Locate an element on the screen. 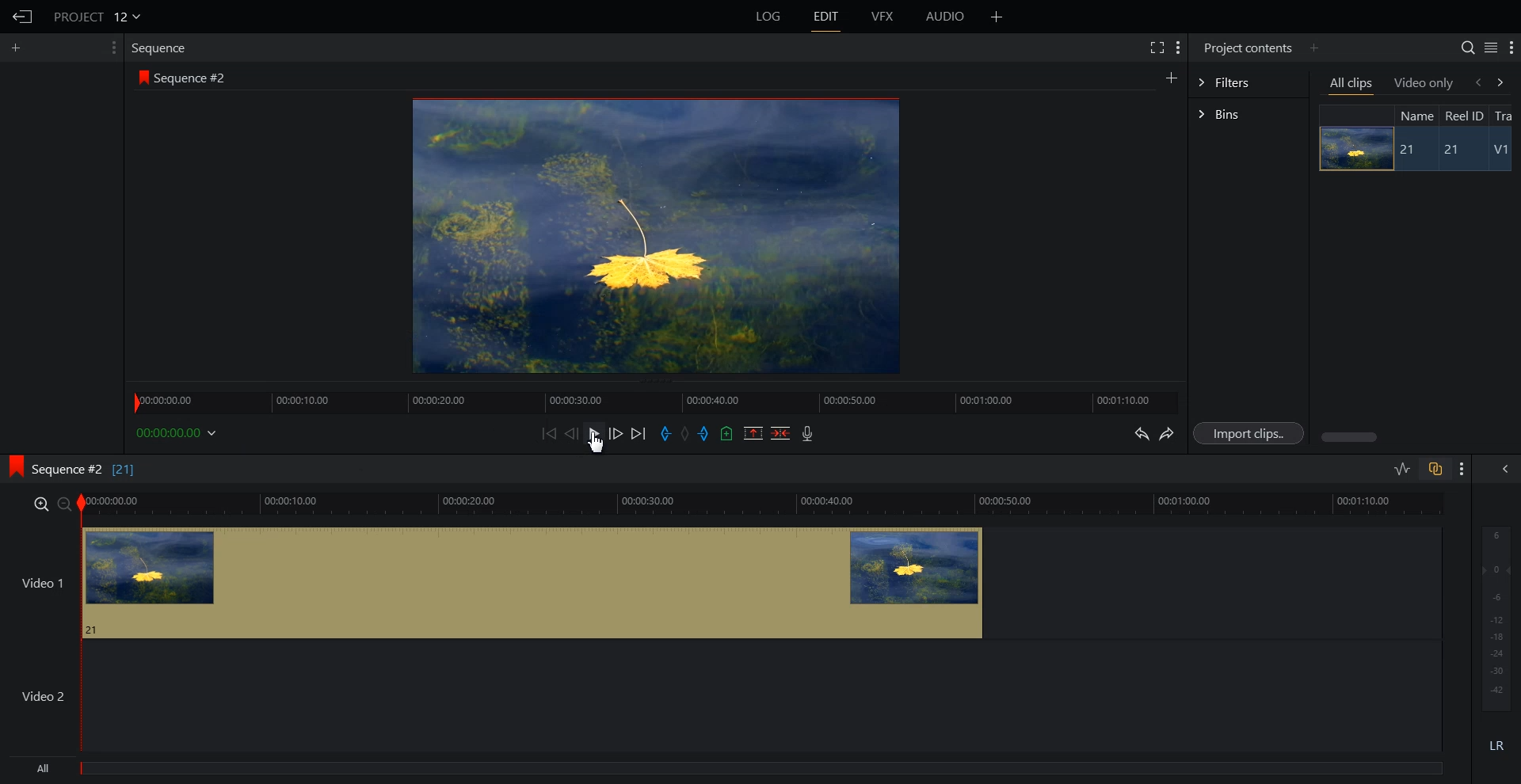 This screenshot has height=784, width=1521. 21 is located at coordinates (1458, 150).